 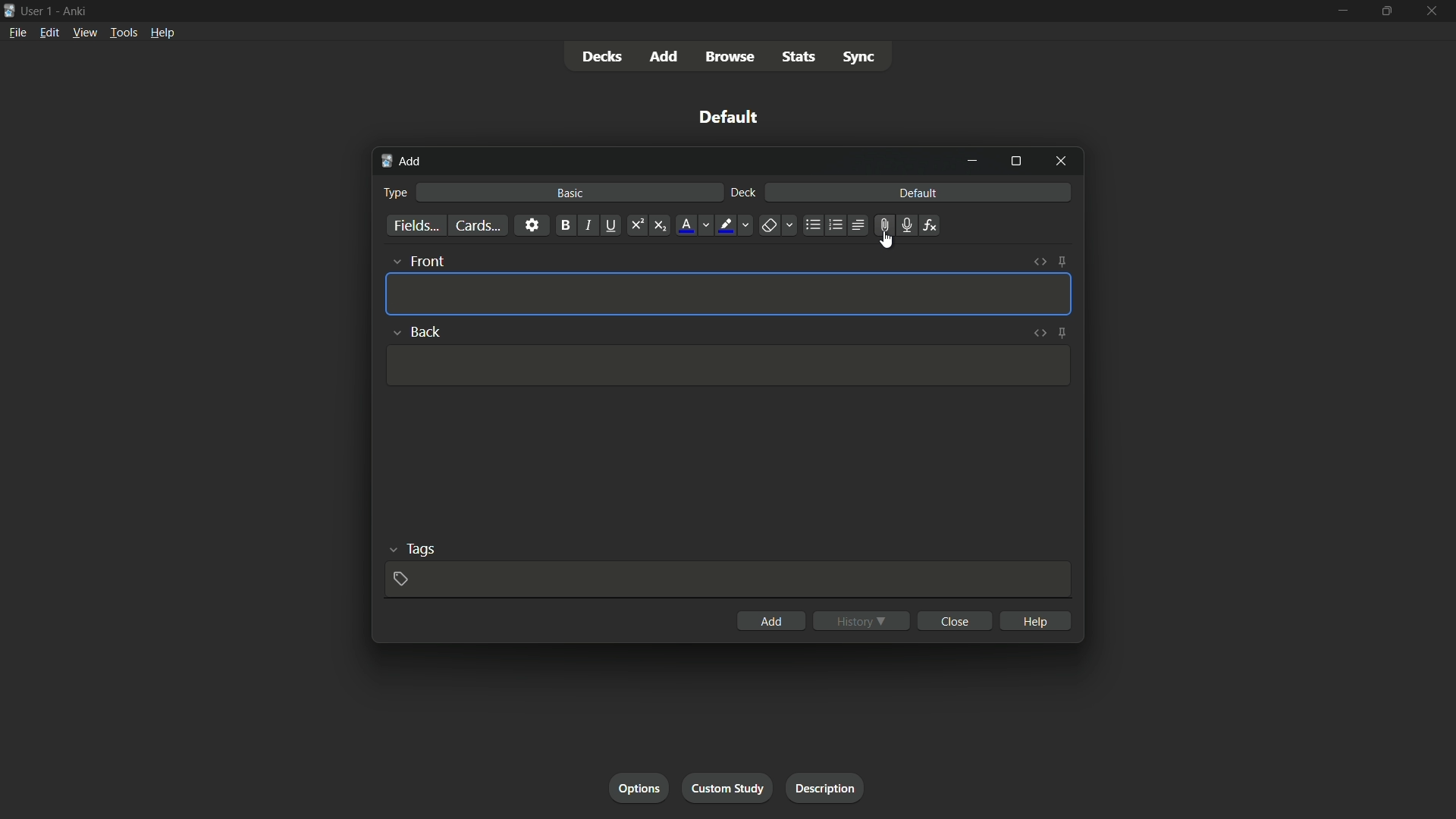 I want to click on user-1, so click(x=37, y=9).